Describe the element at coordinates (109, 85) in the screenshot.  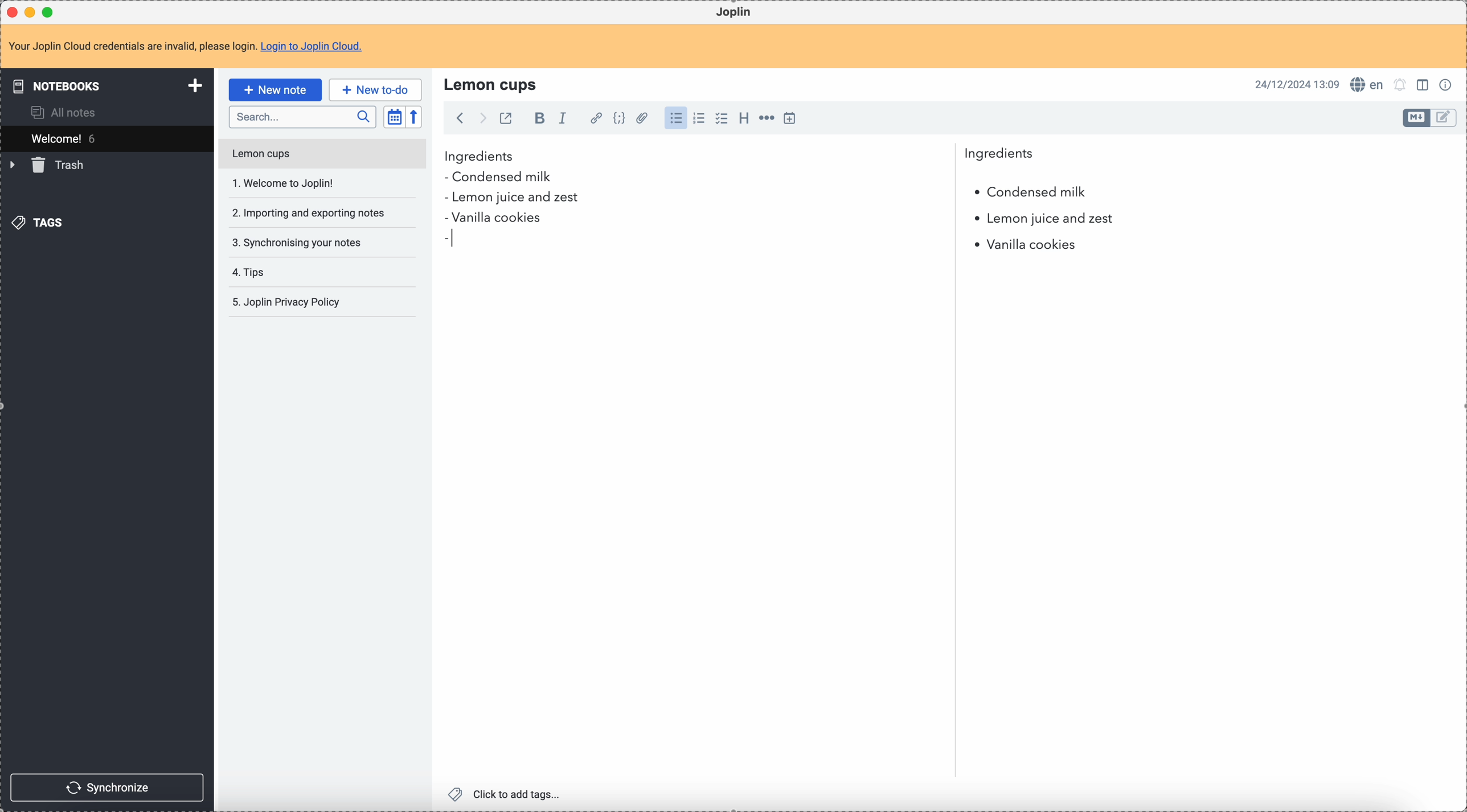
I see `notebooks` at that location.